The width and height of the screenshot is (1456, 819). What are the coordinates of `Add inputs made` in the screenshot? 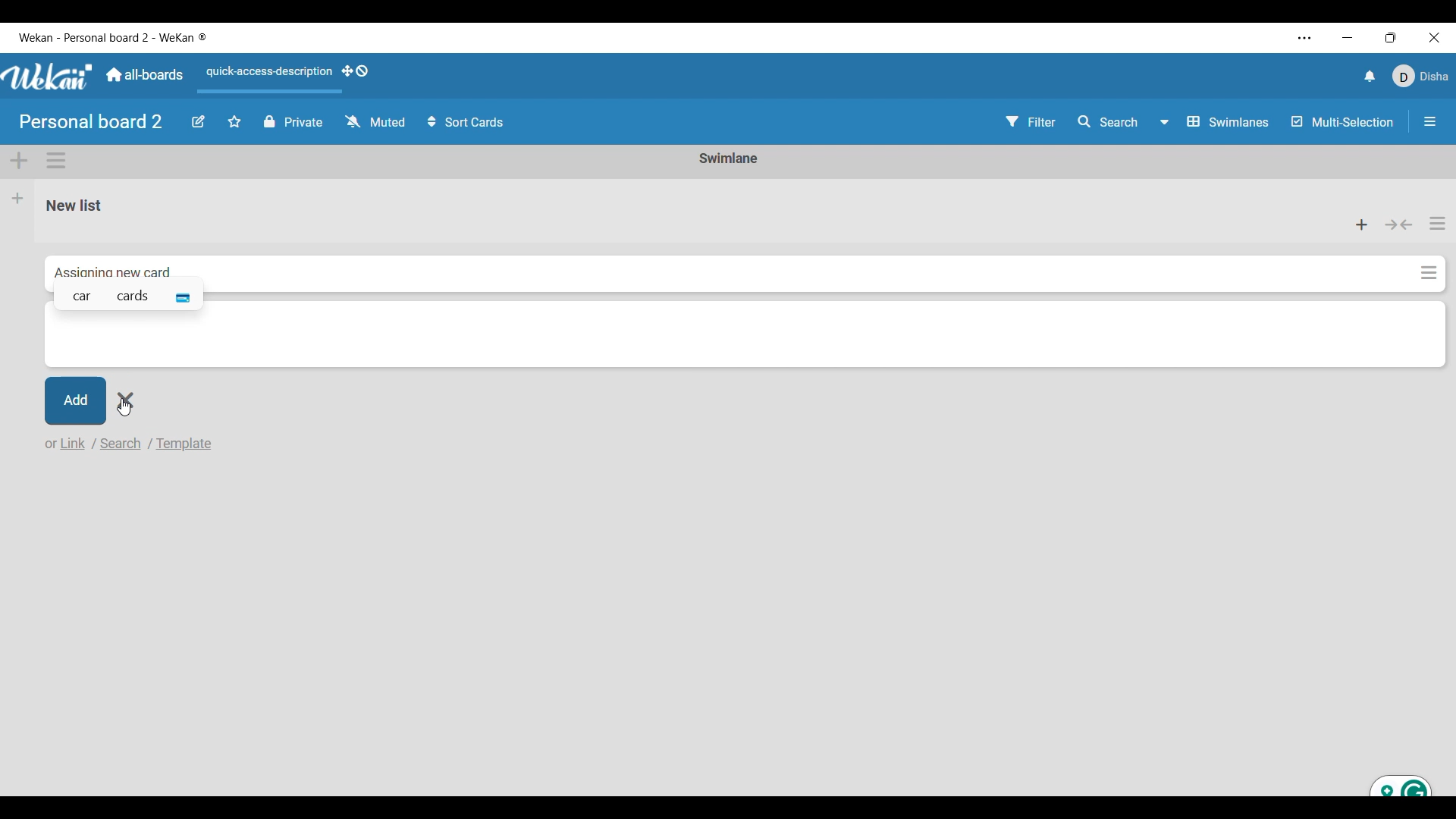 It's located at (74, 399).